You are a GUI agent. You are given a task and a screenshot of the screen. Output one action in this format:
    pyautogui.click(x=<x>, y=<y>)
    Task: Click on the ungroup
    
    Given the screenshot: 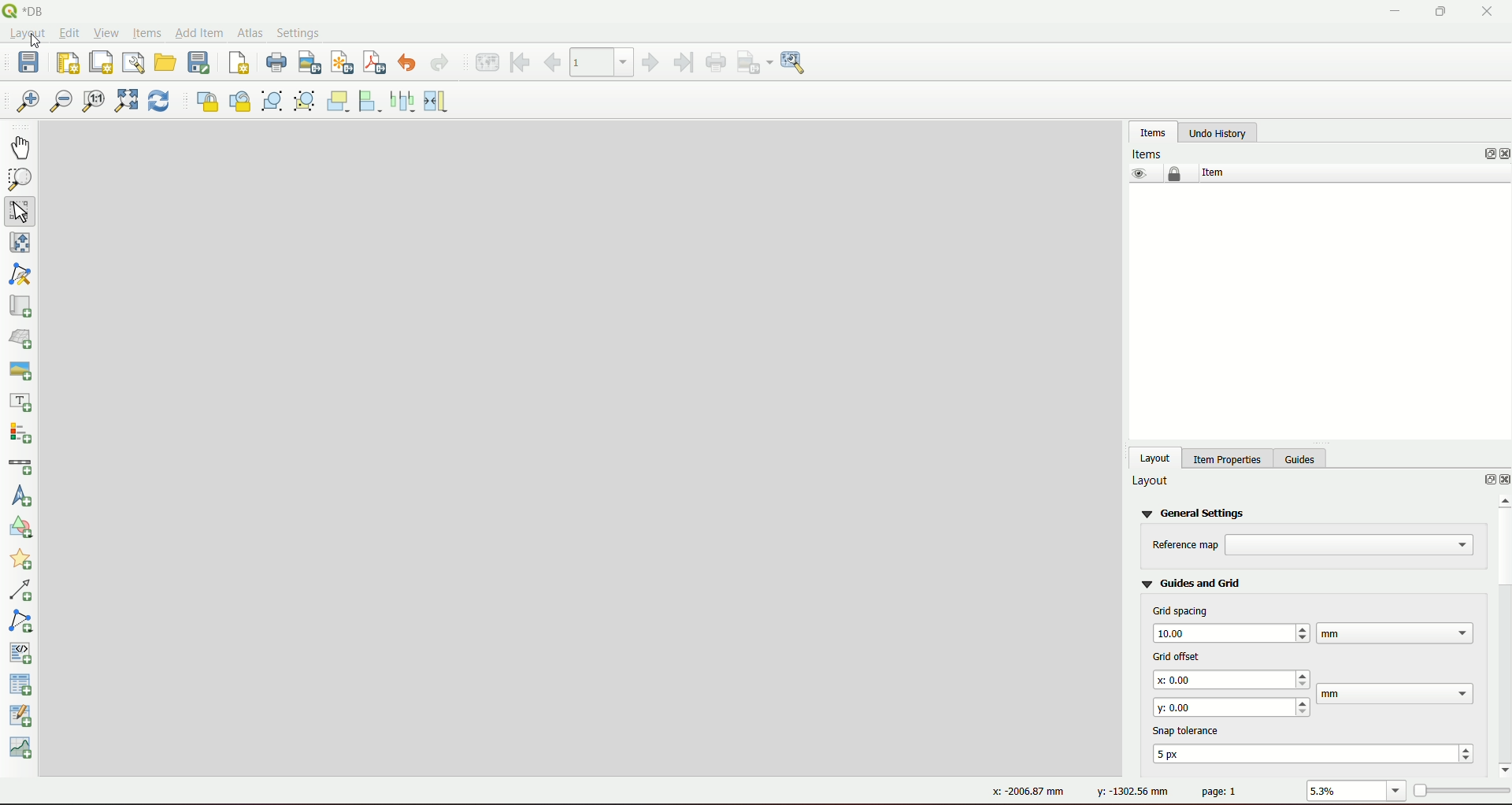 What is the action you would take?
    pyautogui.click(x=306, y=102)
    